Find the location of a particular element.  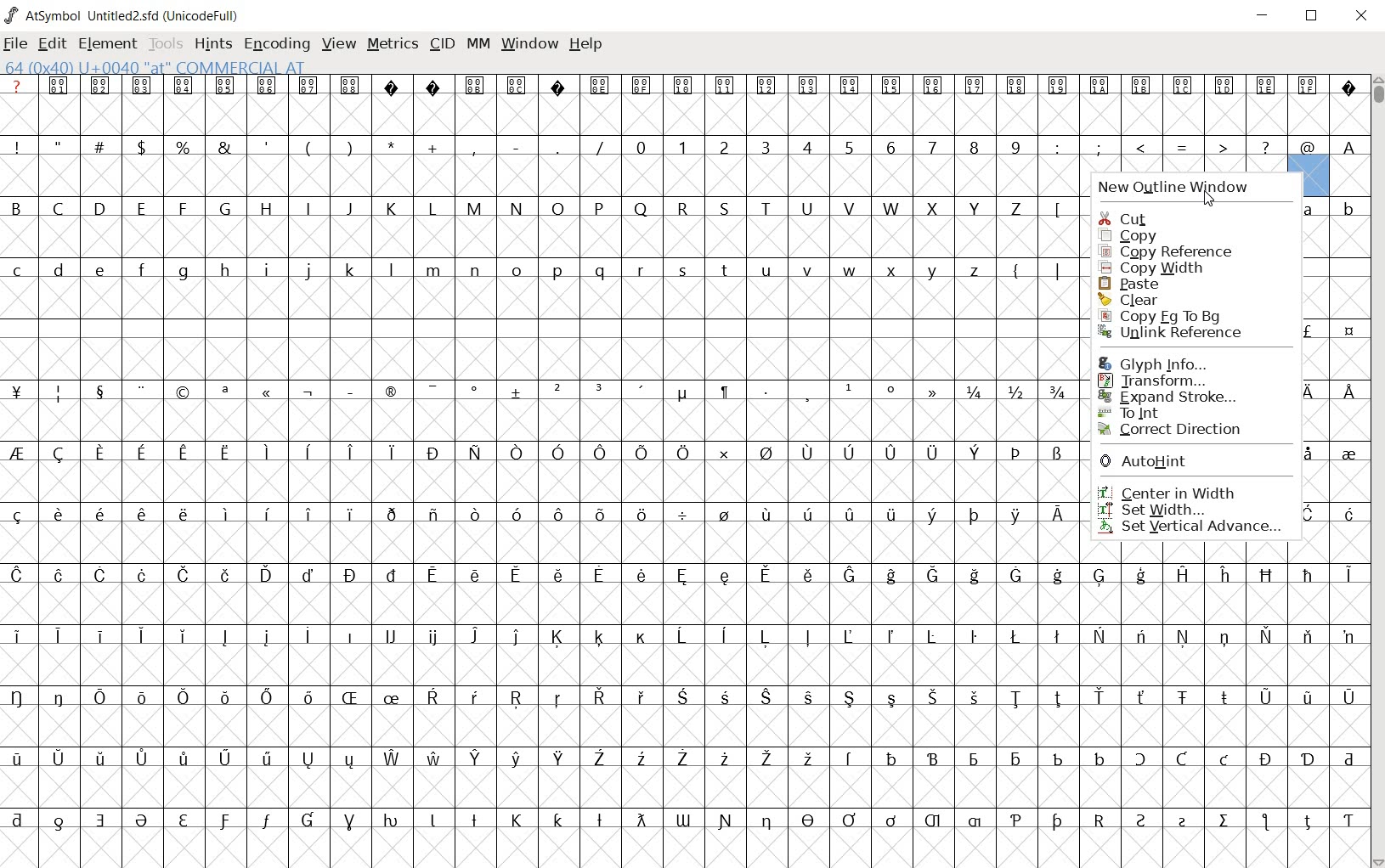

METRICS is located at coordinates (392, 44).